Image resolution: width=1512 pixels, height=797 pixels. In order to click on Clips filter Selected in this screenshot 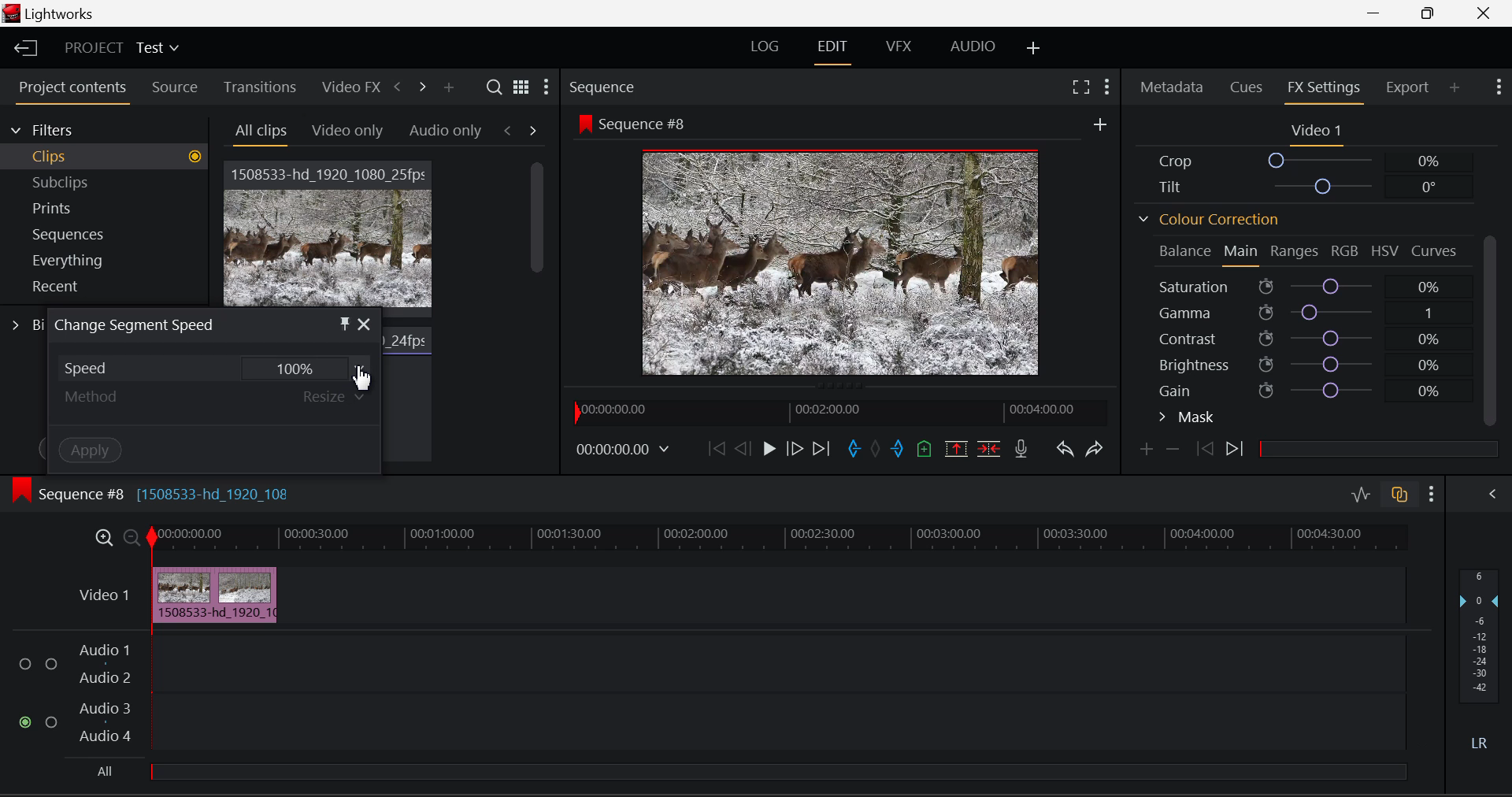, I will do `click(115, 157)`.